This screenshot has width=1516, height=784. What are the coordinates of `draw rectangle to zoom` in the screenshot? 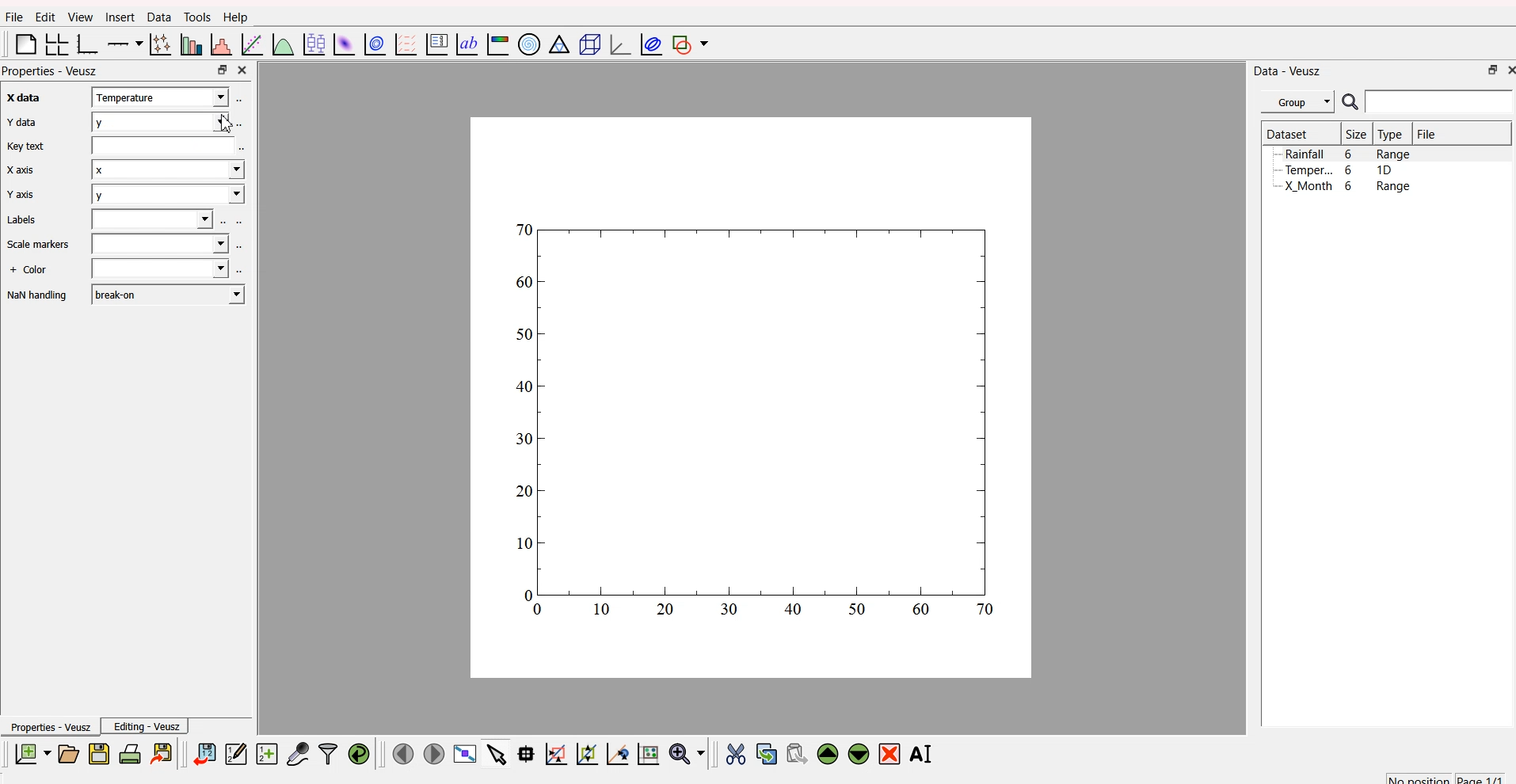 It's located at (556, 753).